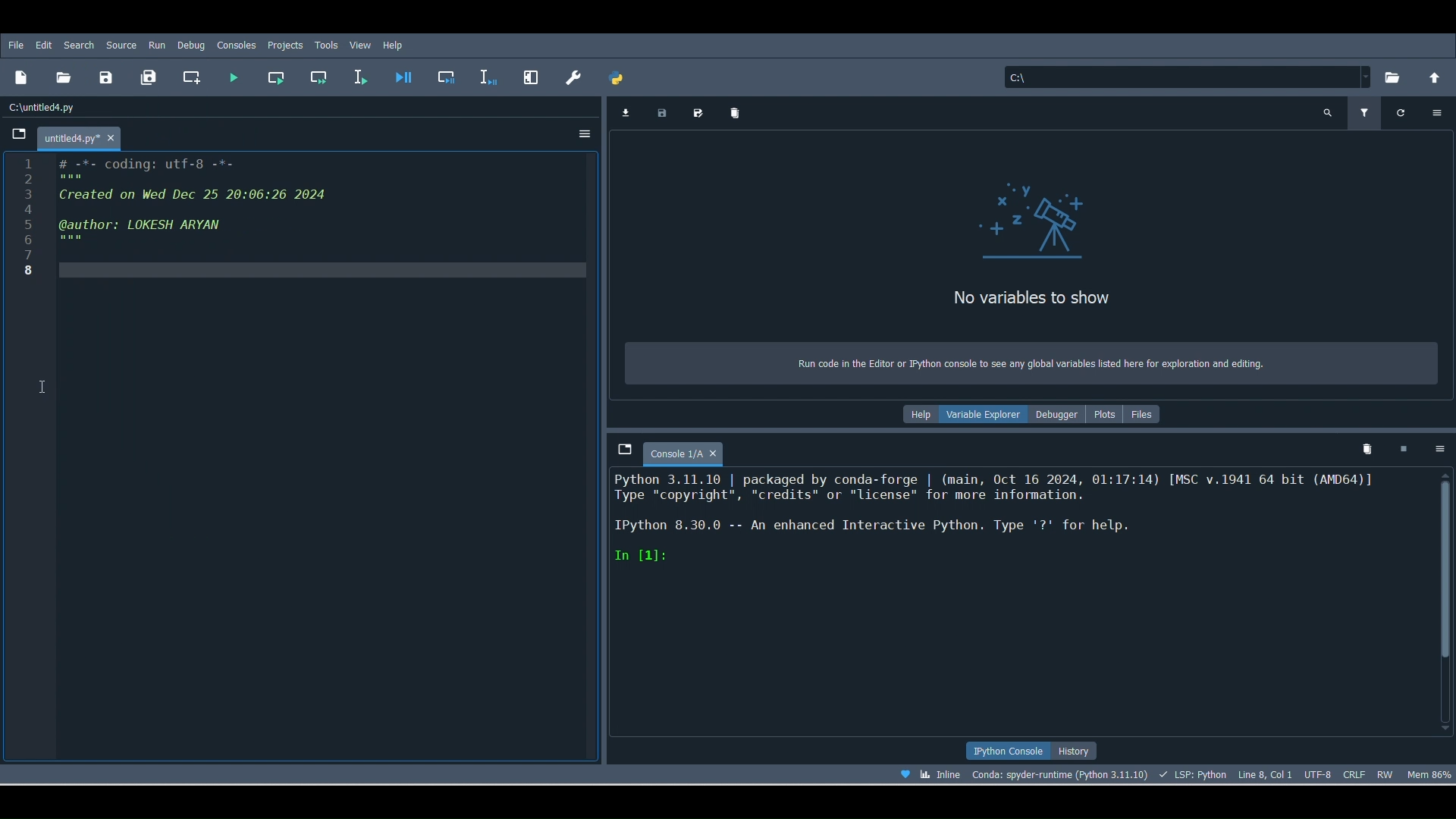 This screenshot has width=1456, height=819. Describe the element at coordinates (394, 45) in the screenshot. I see `Help` at that location.